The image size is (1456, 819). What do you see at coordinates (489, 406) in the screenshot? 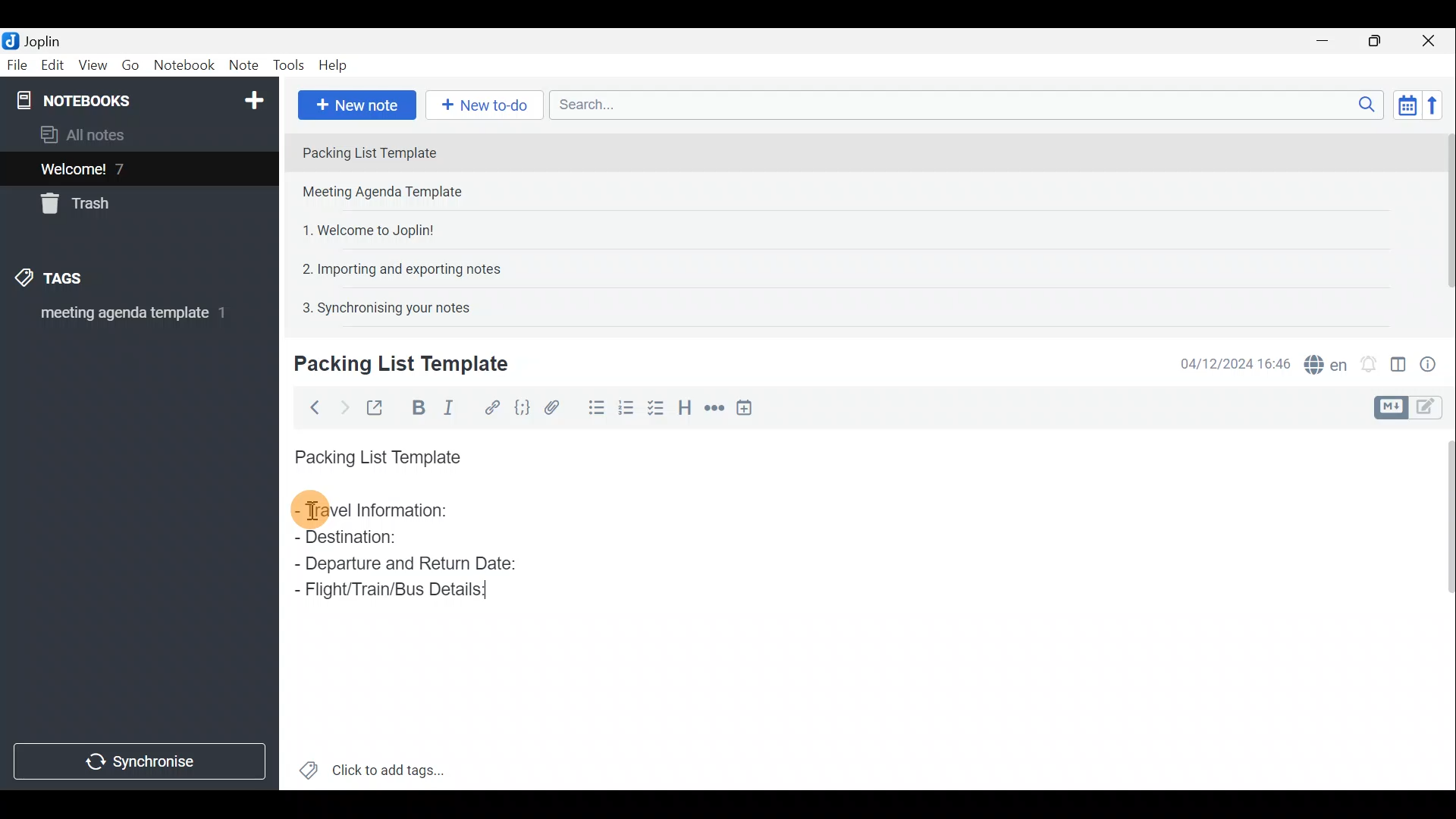
I see `Hyperlink` at bounding box center [489, 406].